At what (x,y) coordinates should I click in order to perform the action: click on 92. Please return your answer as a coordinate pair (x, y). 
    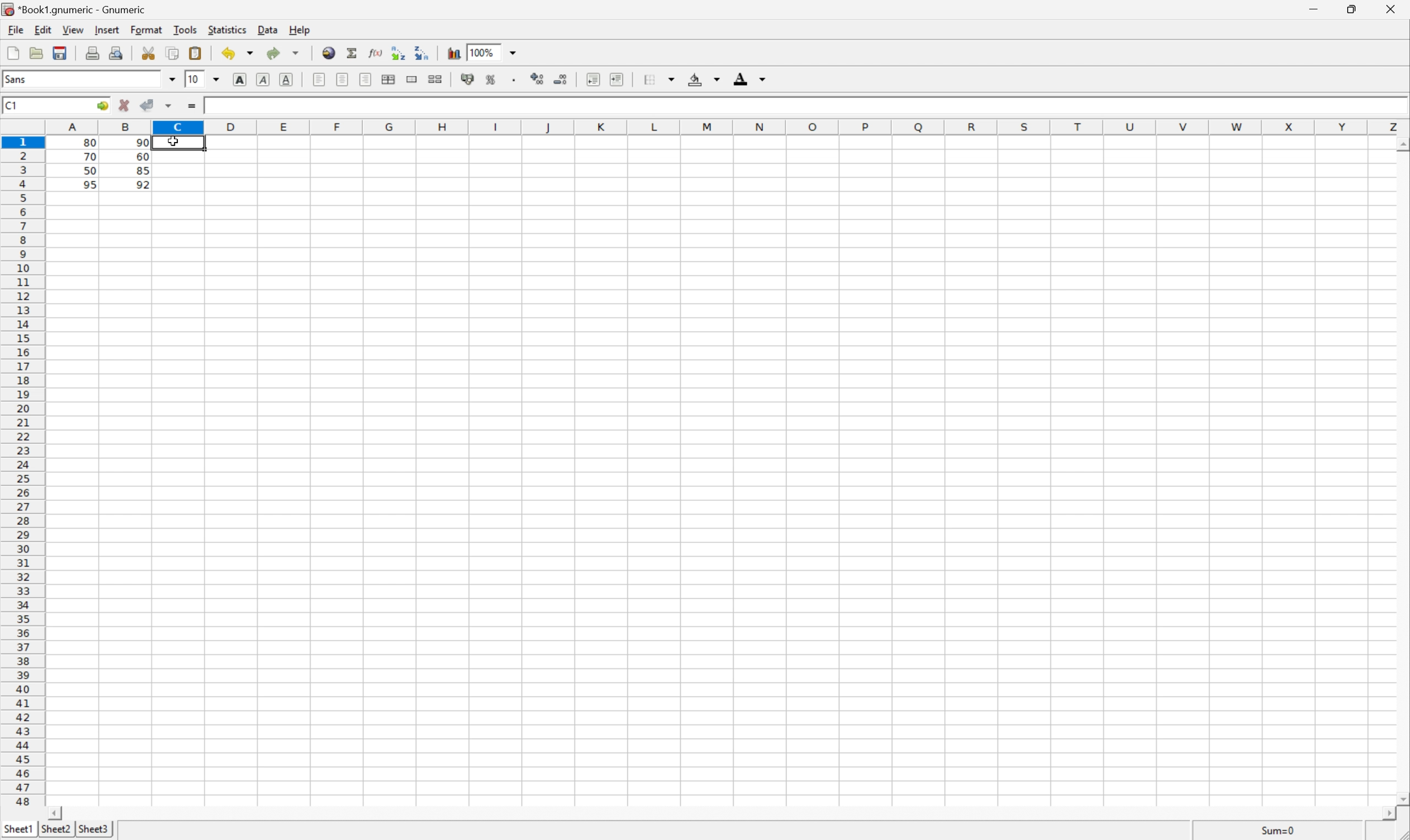
    Looking at the image, I should click on (143, 184).